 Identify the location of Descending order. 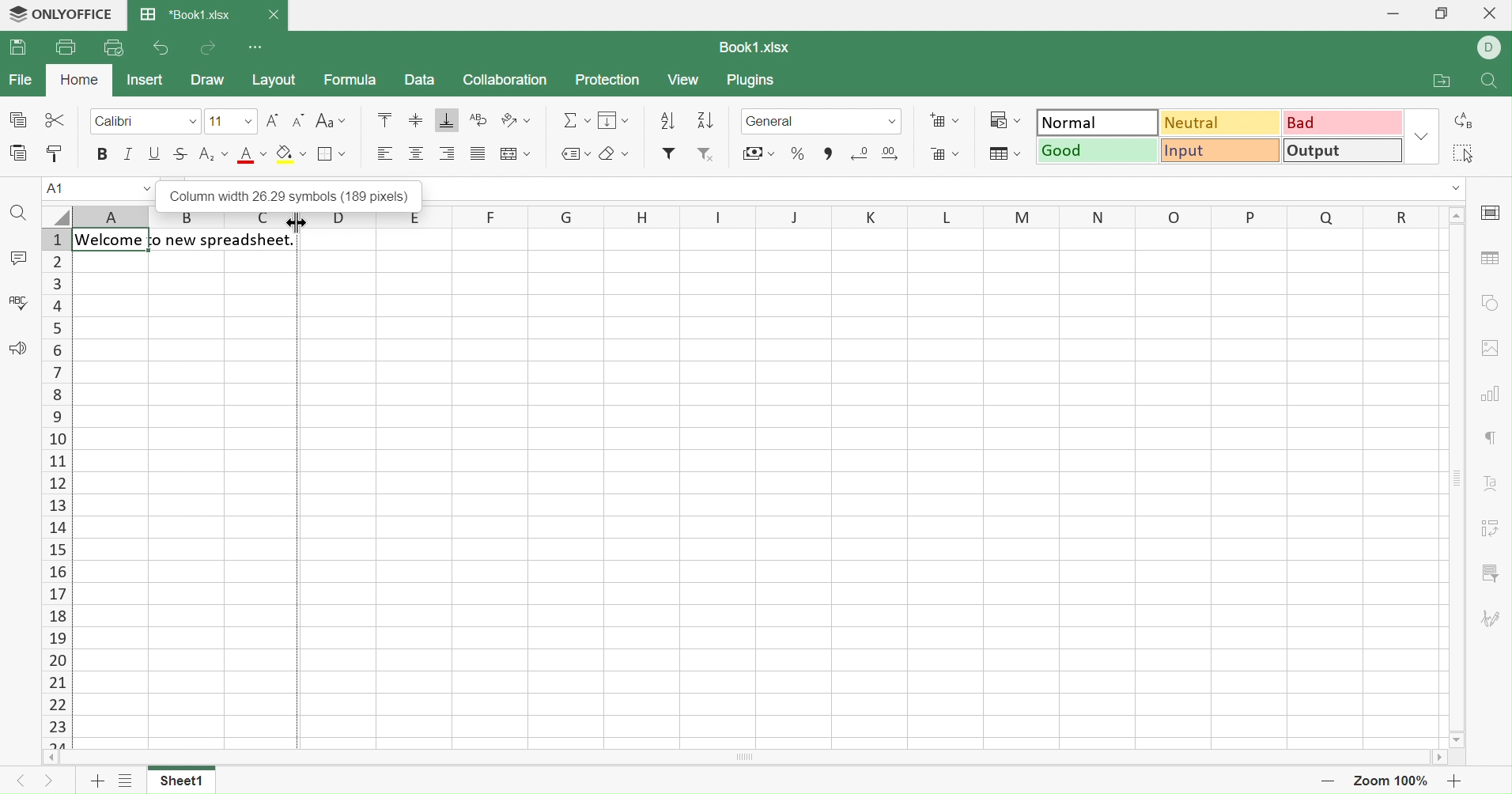
(704, 122).